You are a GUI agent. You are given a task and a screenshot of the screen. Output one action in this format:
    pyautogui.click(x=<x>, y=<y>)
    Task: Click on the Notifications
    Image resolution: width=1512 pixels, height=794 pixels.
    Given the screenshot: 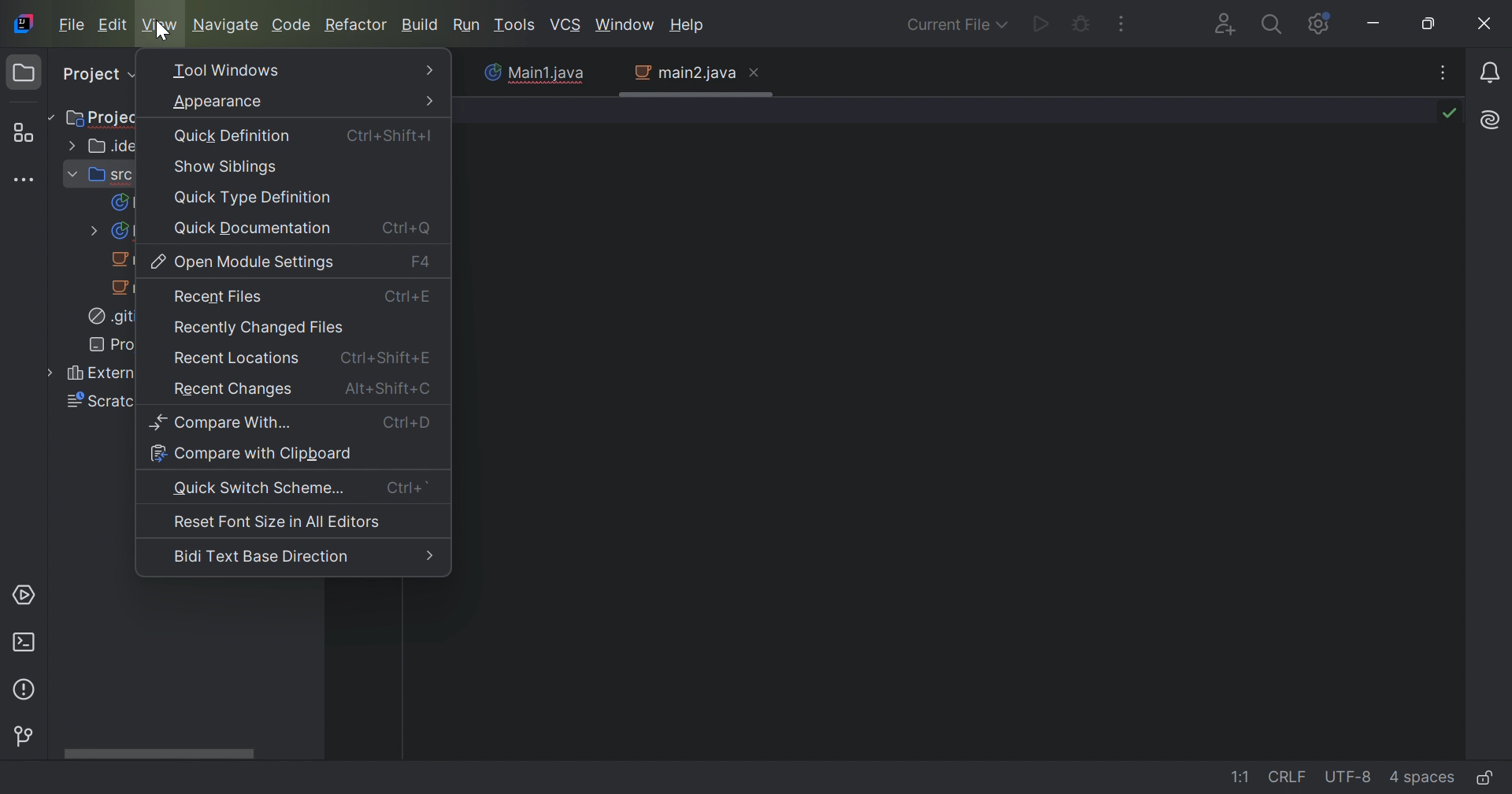 What is the action you would take?
    pyautogui.click(x=1489, y=74)
    